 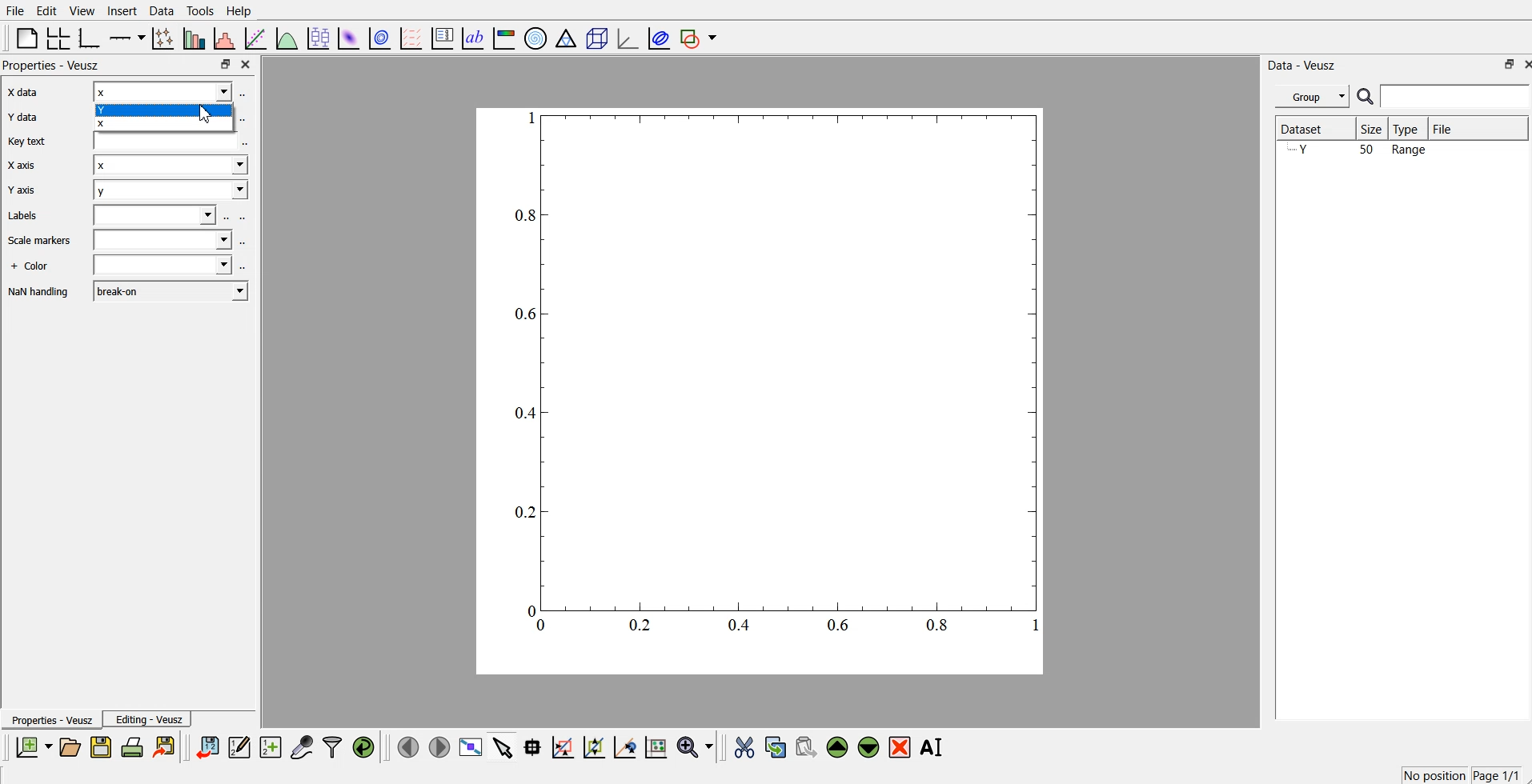 What do you see at coordinates (170, 290) in the screenshot?
I see `break on` at bounding box center [170, 290].